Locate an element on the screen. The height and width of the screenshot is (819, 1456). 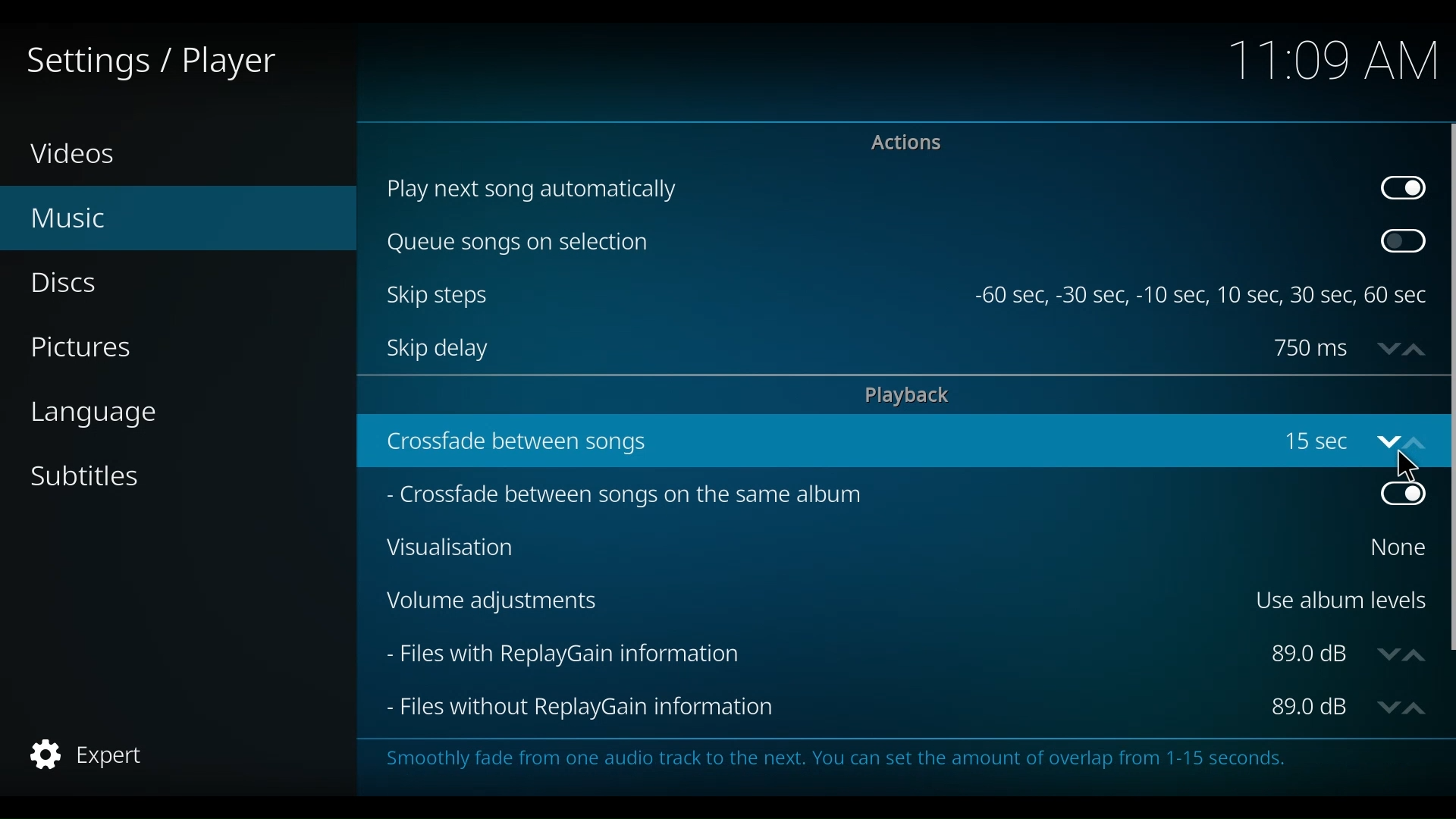
Vertical Scroll bar is located at coordinates (1447, 386).